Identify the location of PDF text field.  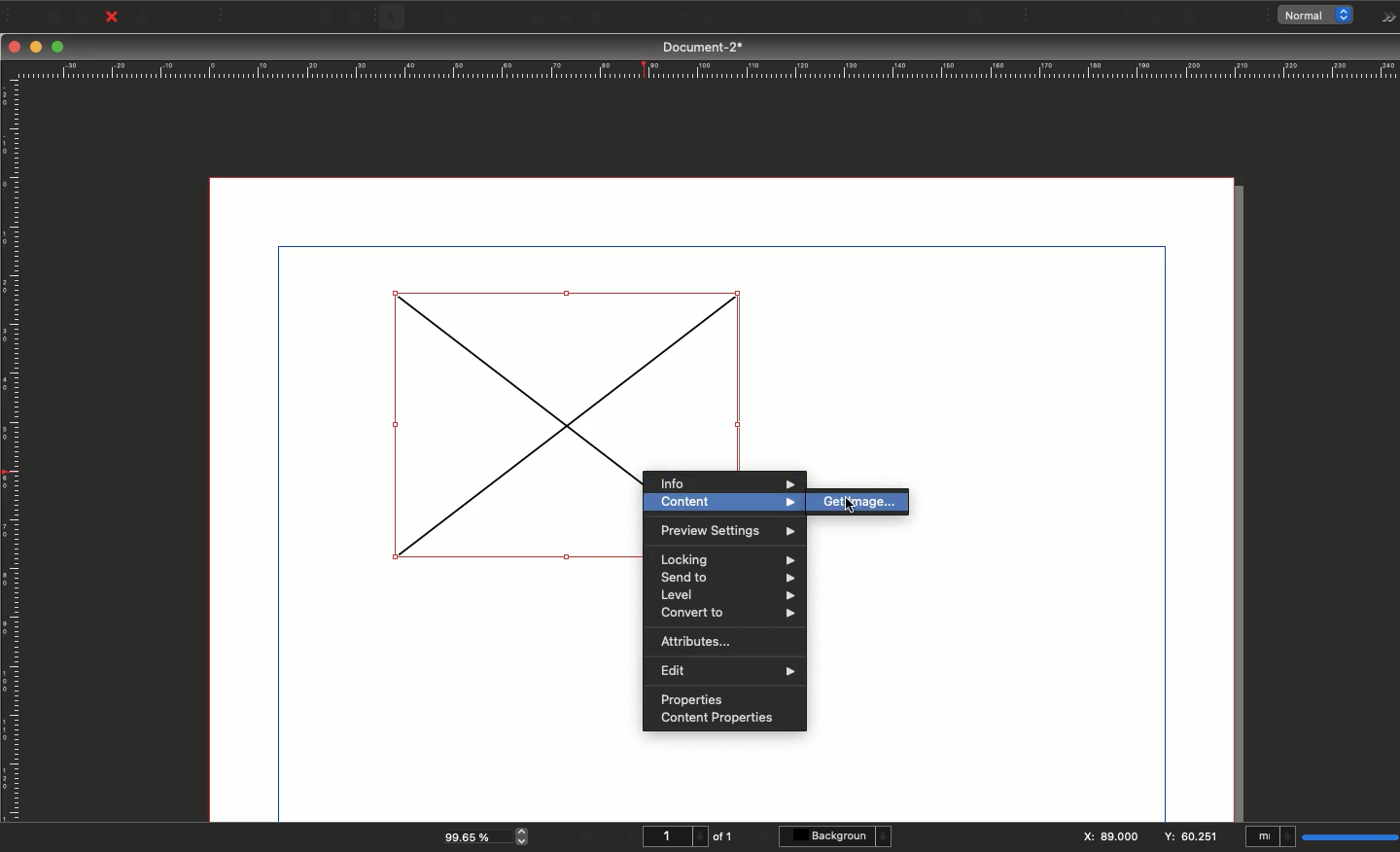
(1129, 18).